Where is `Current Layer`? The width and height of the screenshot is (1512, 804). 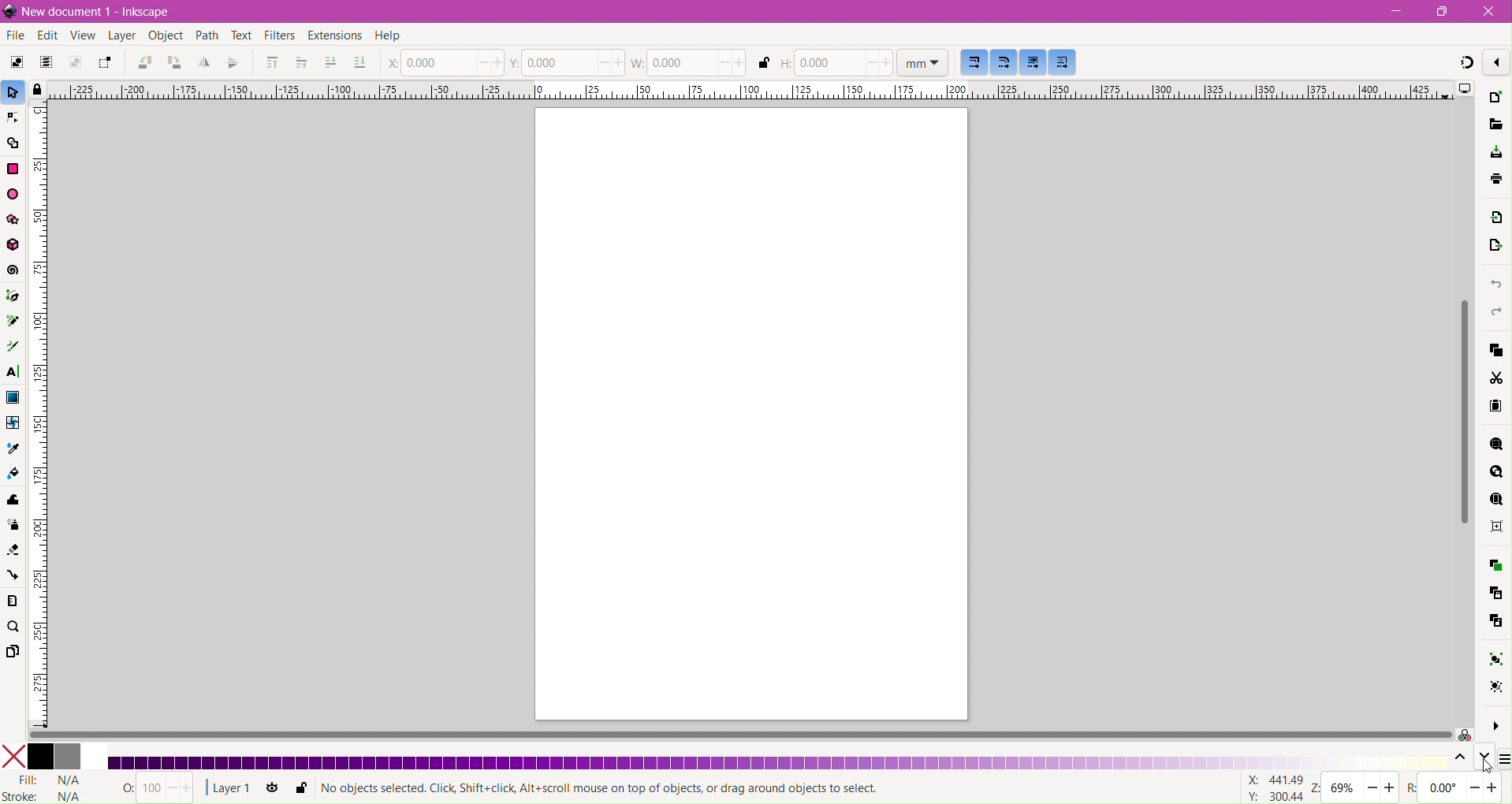 Current Layer is located at coordinates (229, 788).